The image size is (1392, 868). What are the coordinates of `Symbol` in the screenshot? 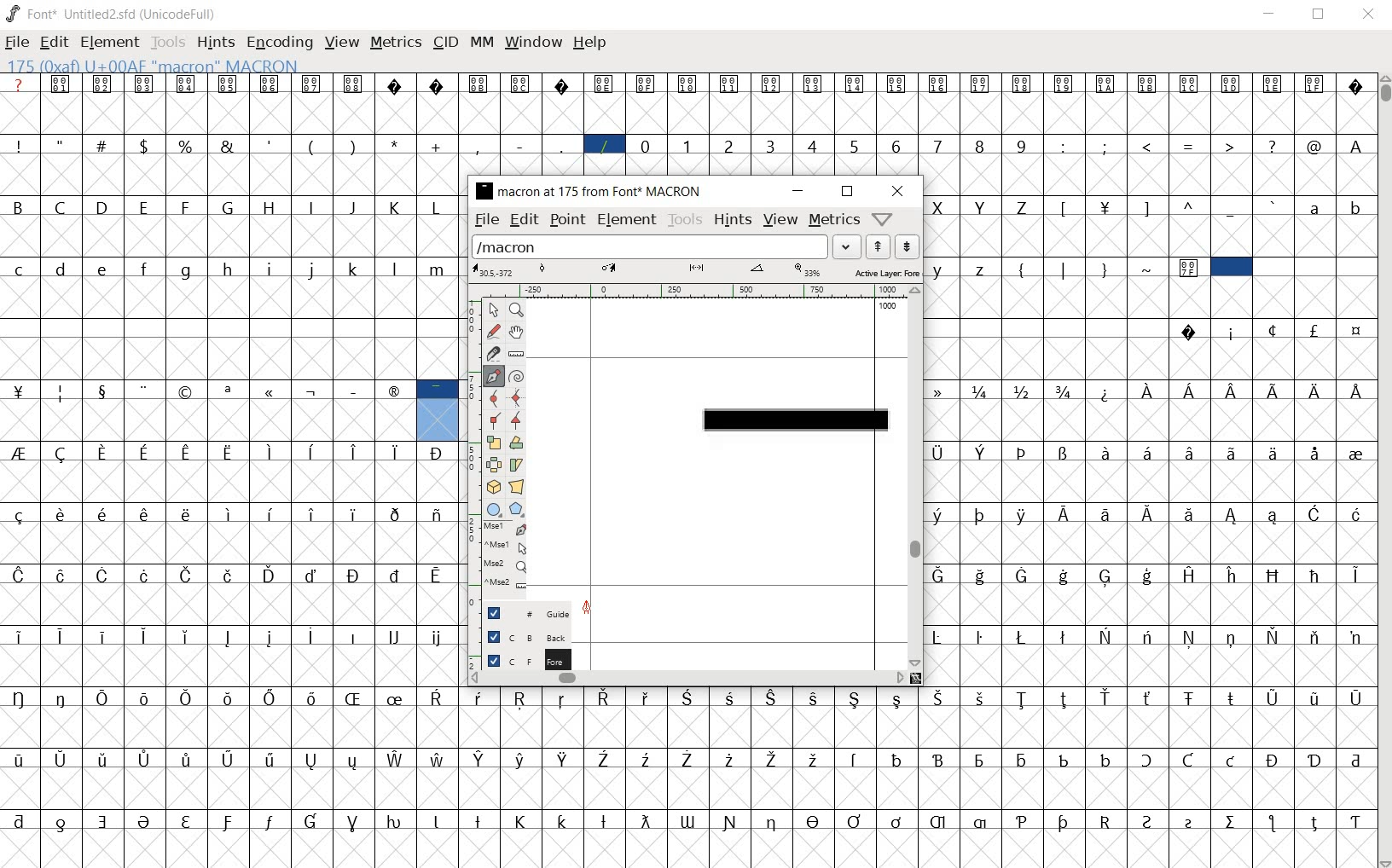 It's located at (771, 84).